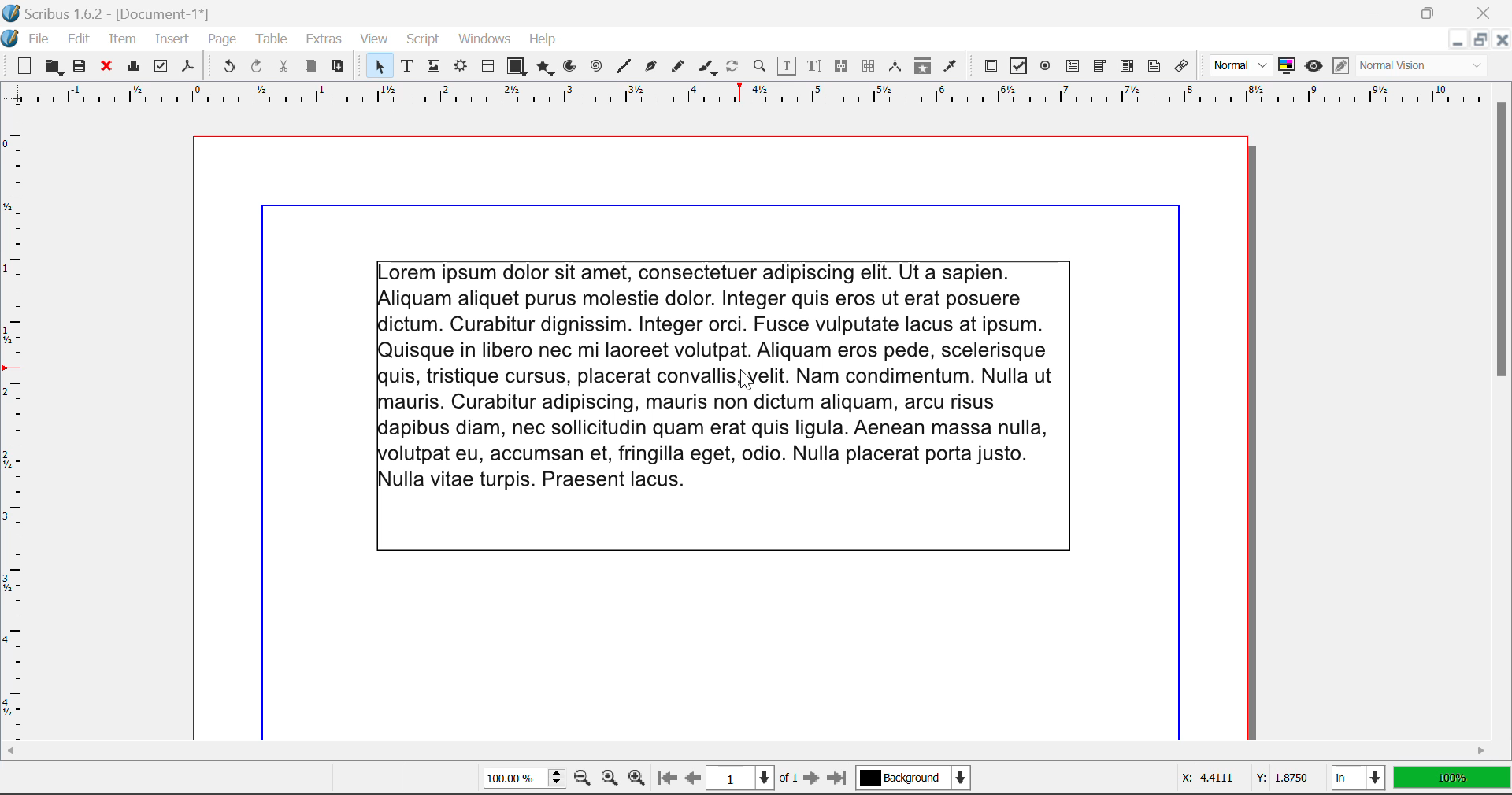 This screenshot has width=1512, height=795. Describe the element at coordinates (1376, 11) in the screenshot. I see `Restore Down` at that location.